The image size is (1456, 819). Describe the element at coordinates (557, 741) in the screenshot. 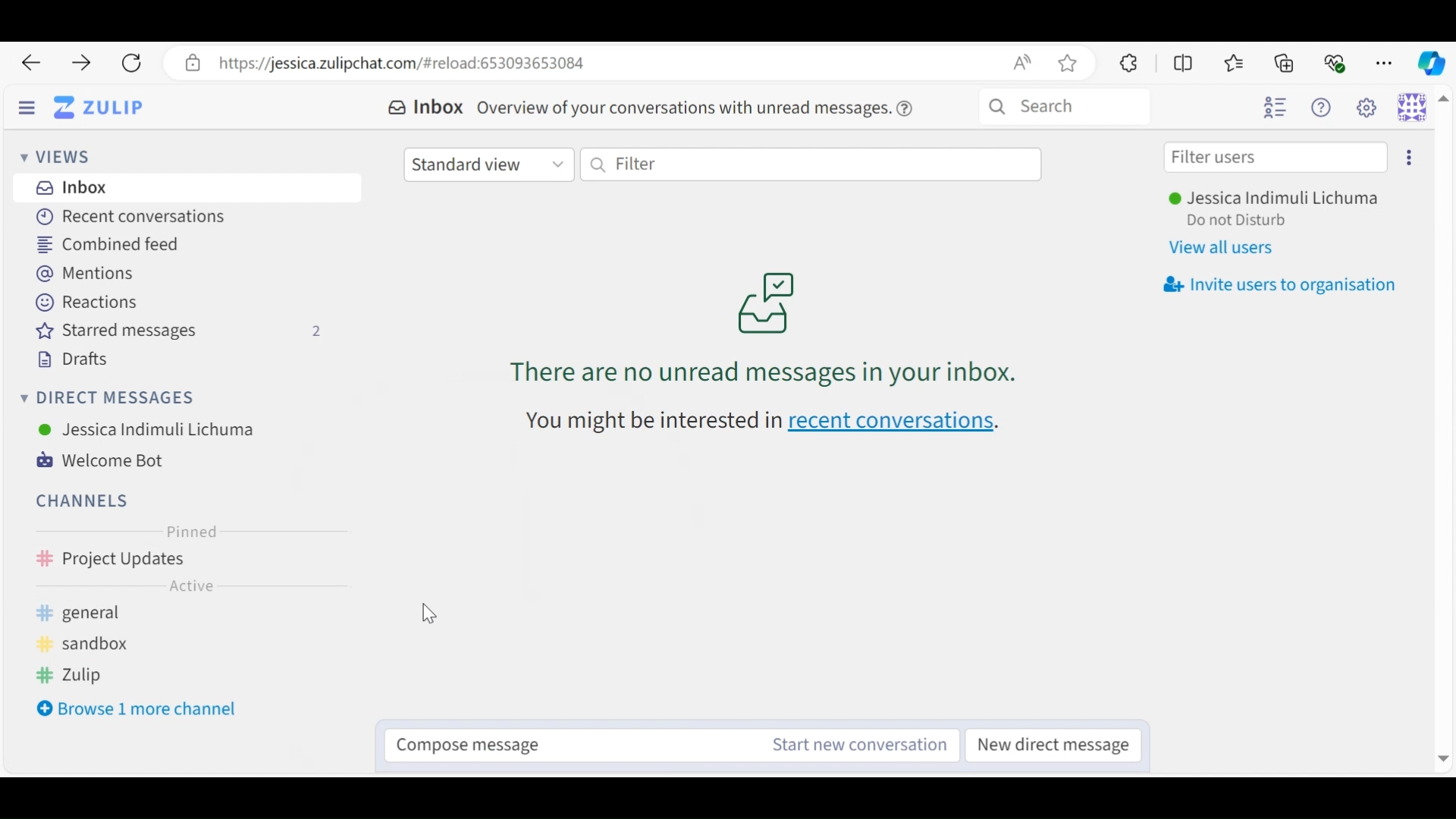

I see `Compose message` at that location.